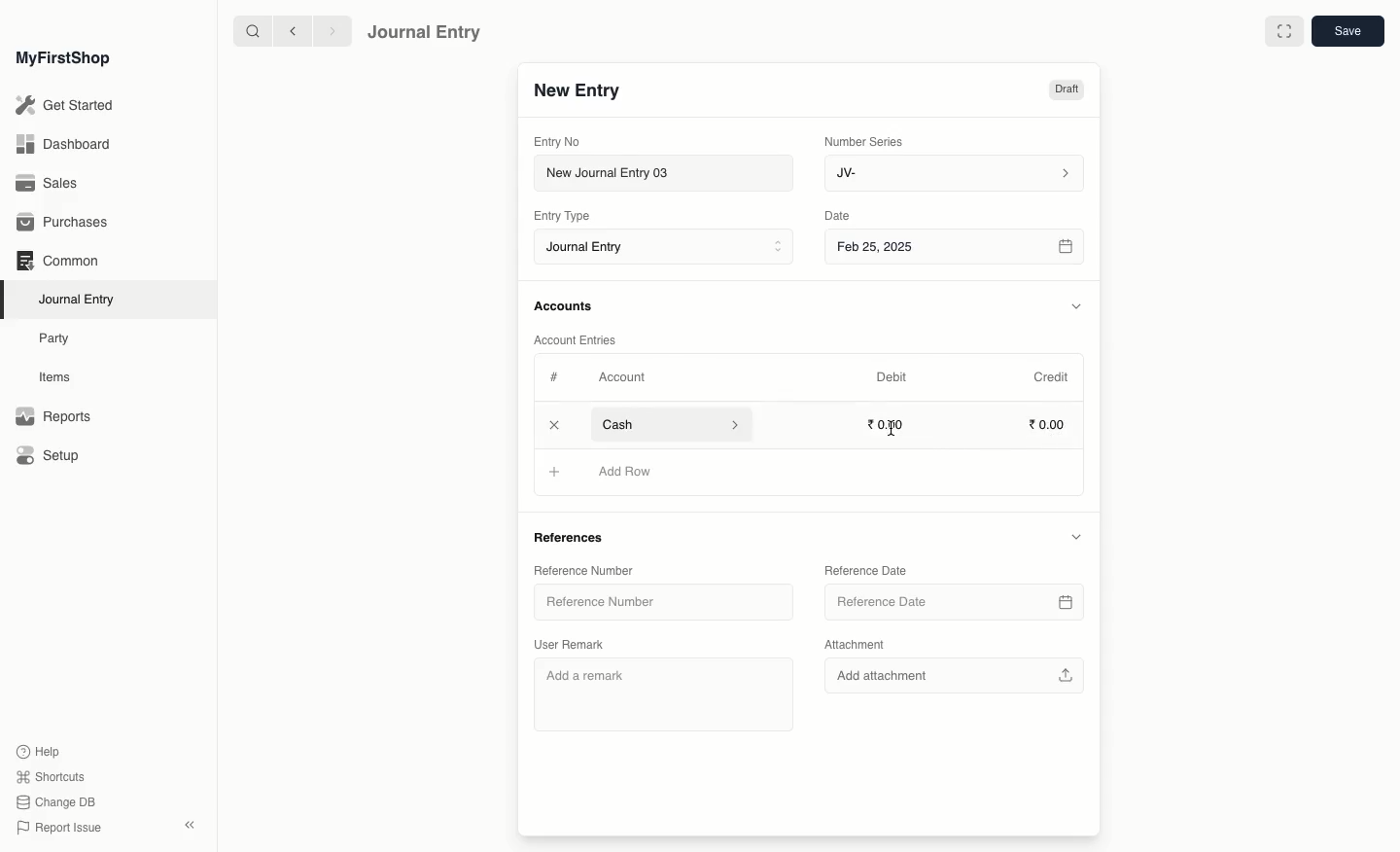 The width and height of the screenshot is (1400, 852). What do you see at coordinates (868, 569) in the screenshot?
I see `Reference Date` at bounding box center [868, 569].